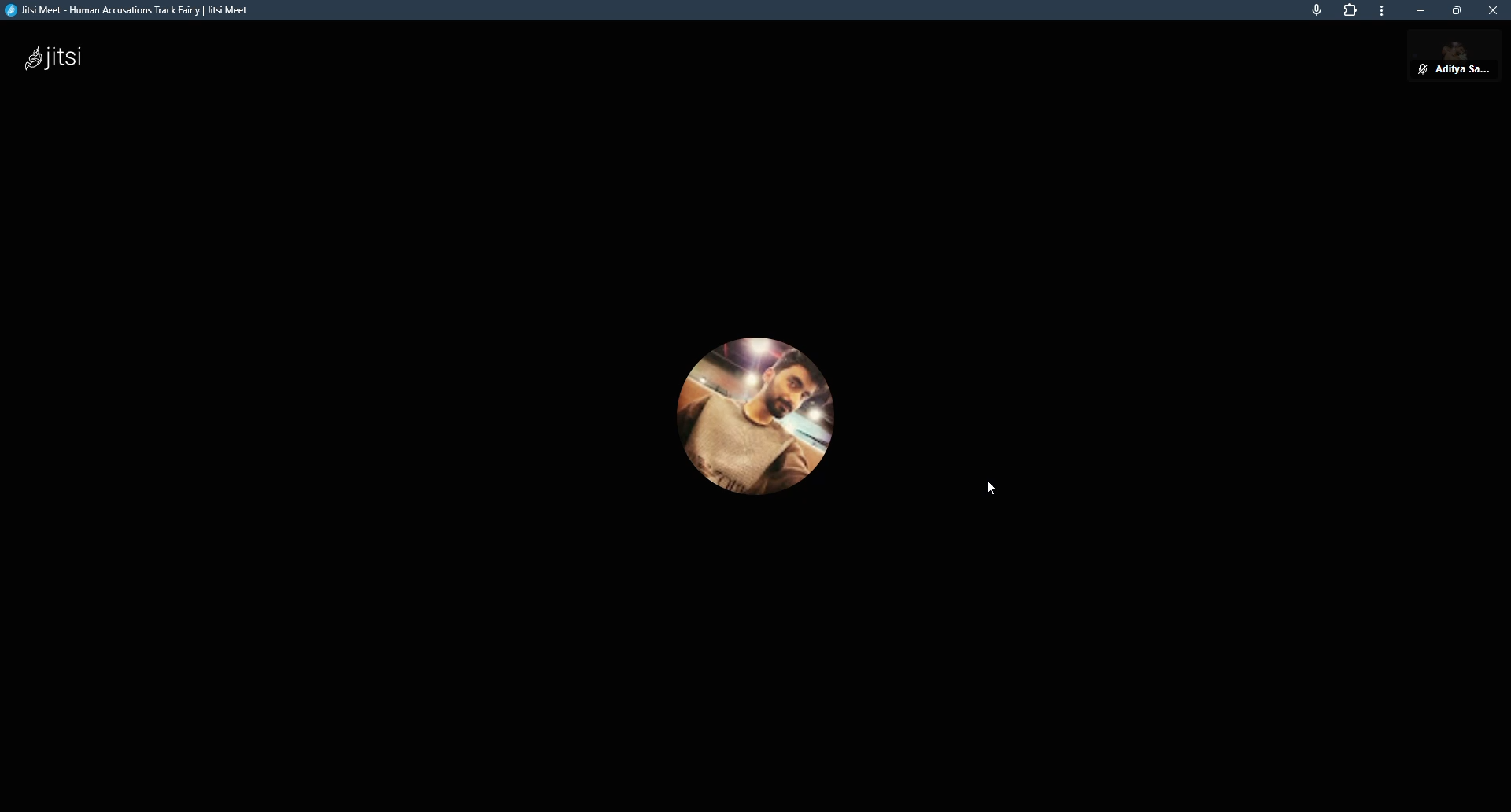 Image resolution: width=1511 pixels, height=812 pixels. What do you see at coordinates (1316, 8) in the screenshot?
I see `mic` at bounding box center [1316, 8].